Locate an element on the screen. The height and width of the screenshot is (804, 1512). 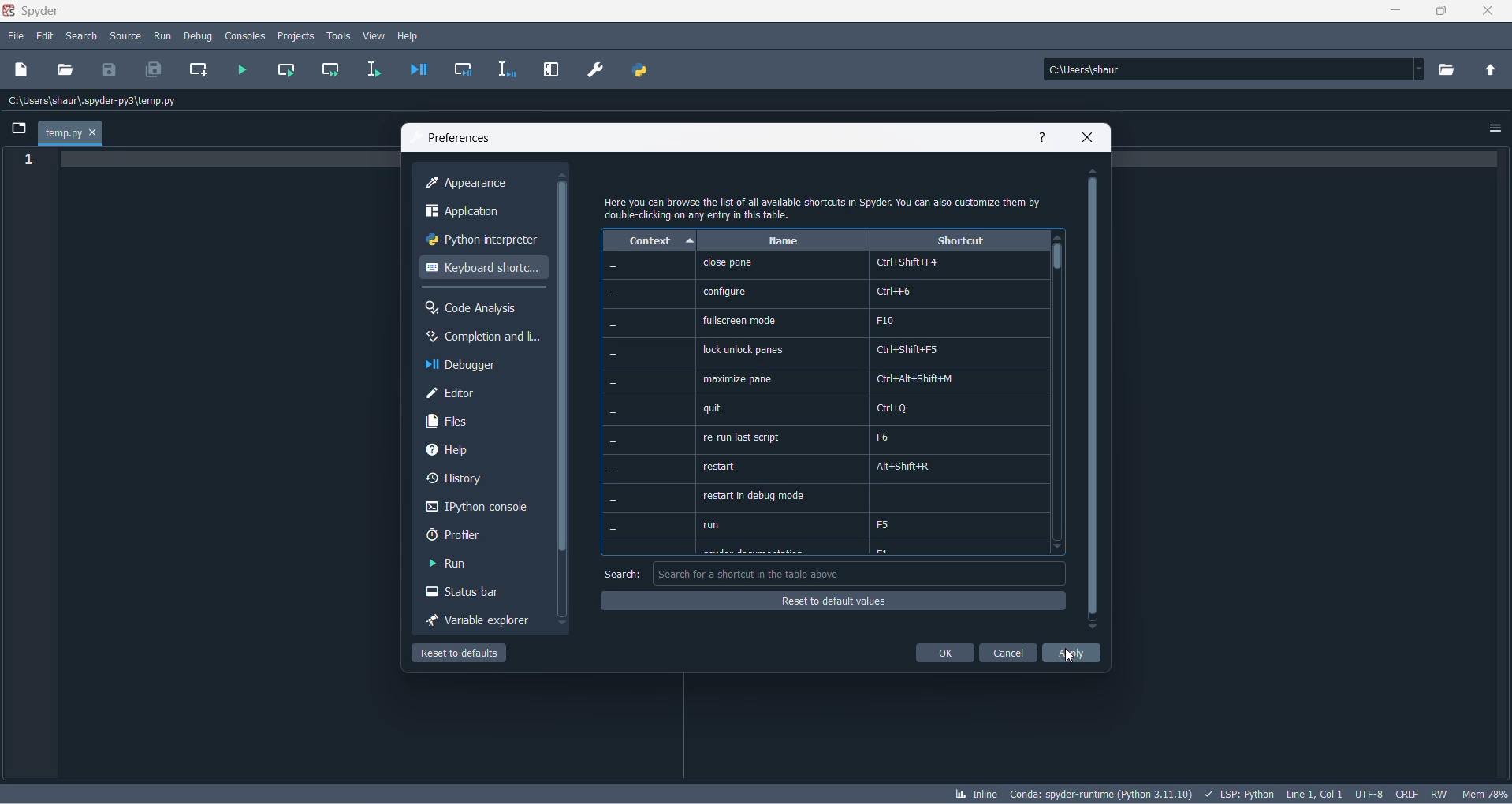
spyder application name is located at coordinates (34, 12).